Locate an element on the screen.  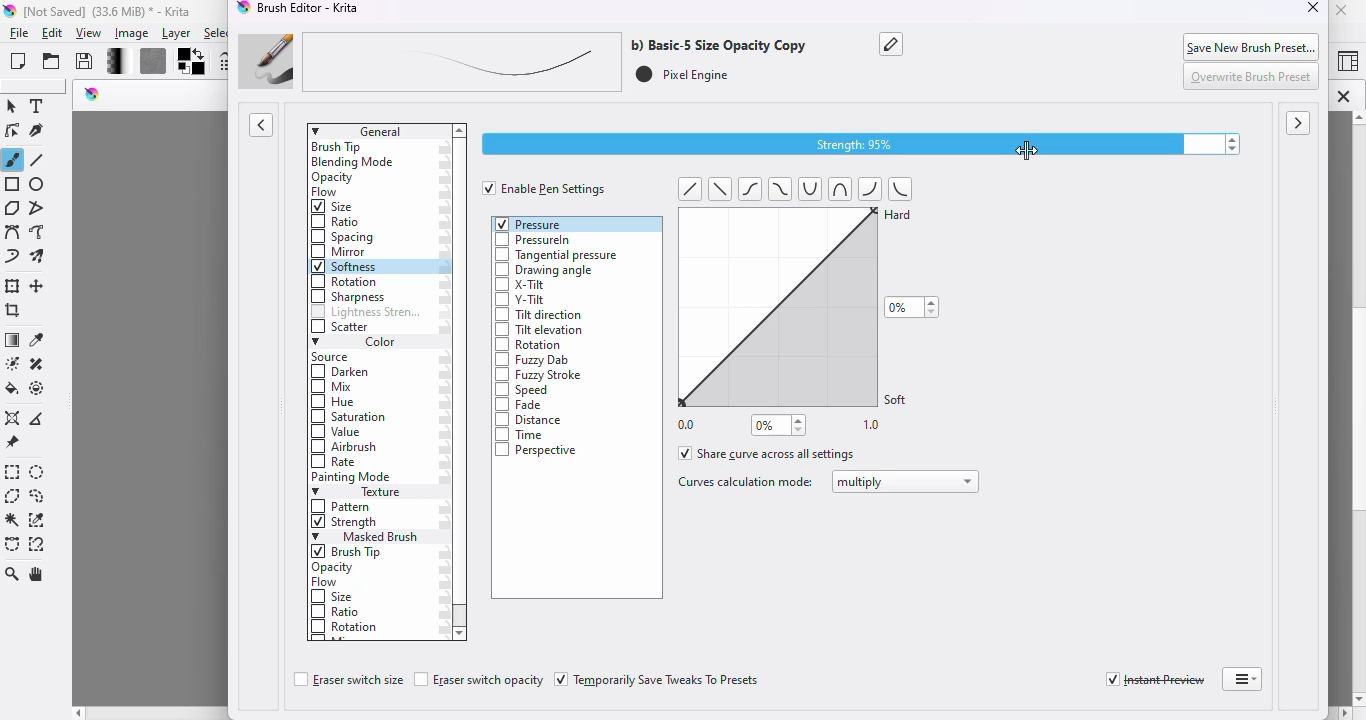
toggle showing scratchpad is located at coordinates (1299, 124).